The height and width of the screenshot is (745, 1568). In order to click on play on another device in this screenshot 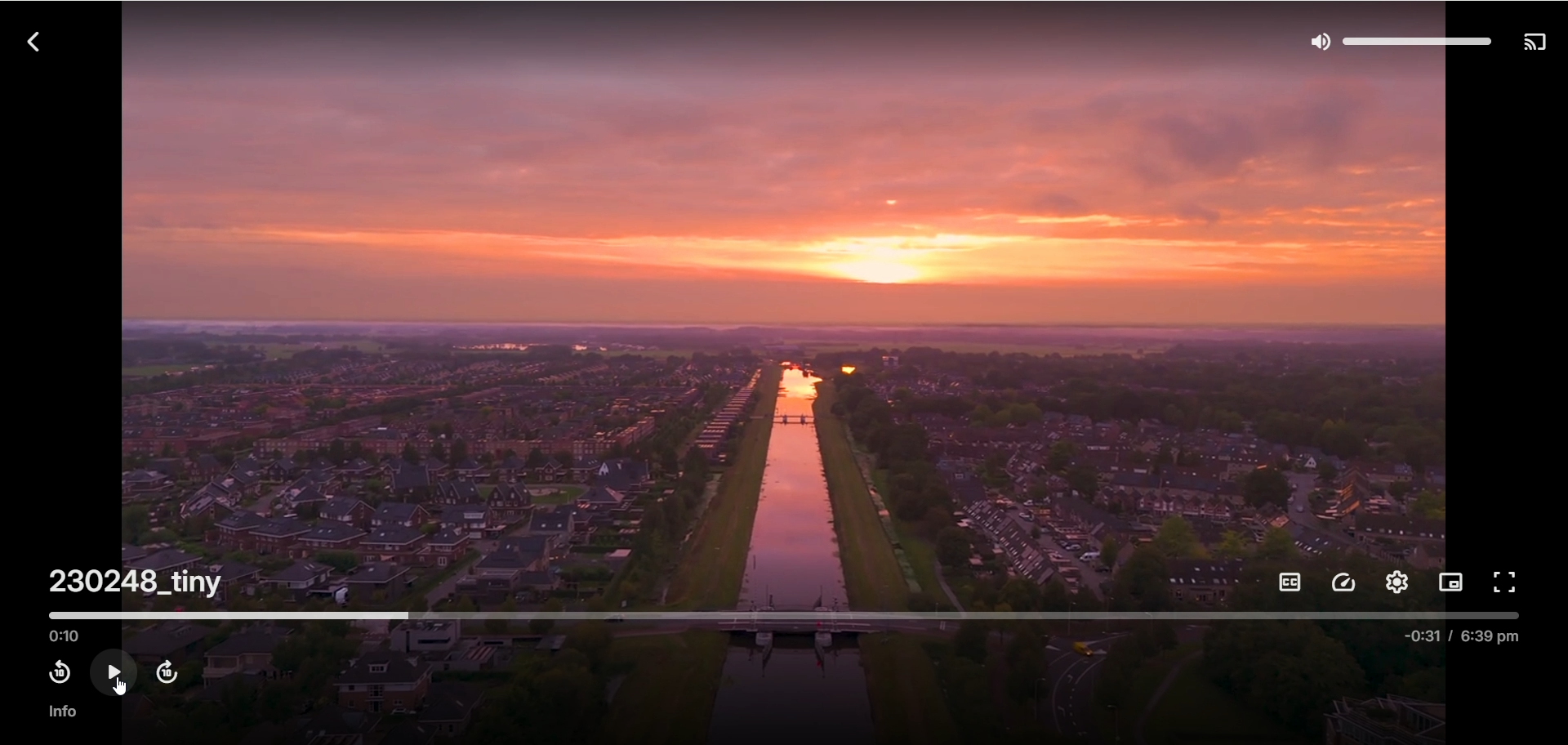, I will do `click(1538, 43)`.